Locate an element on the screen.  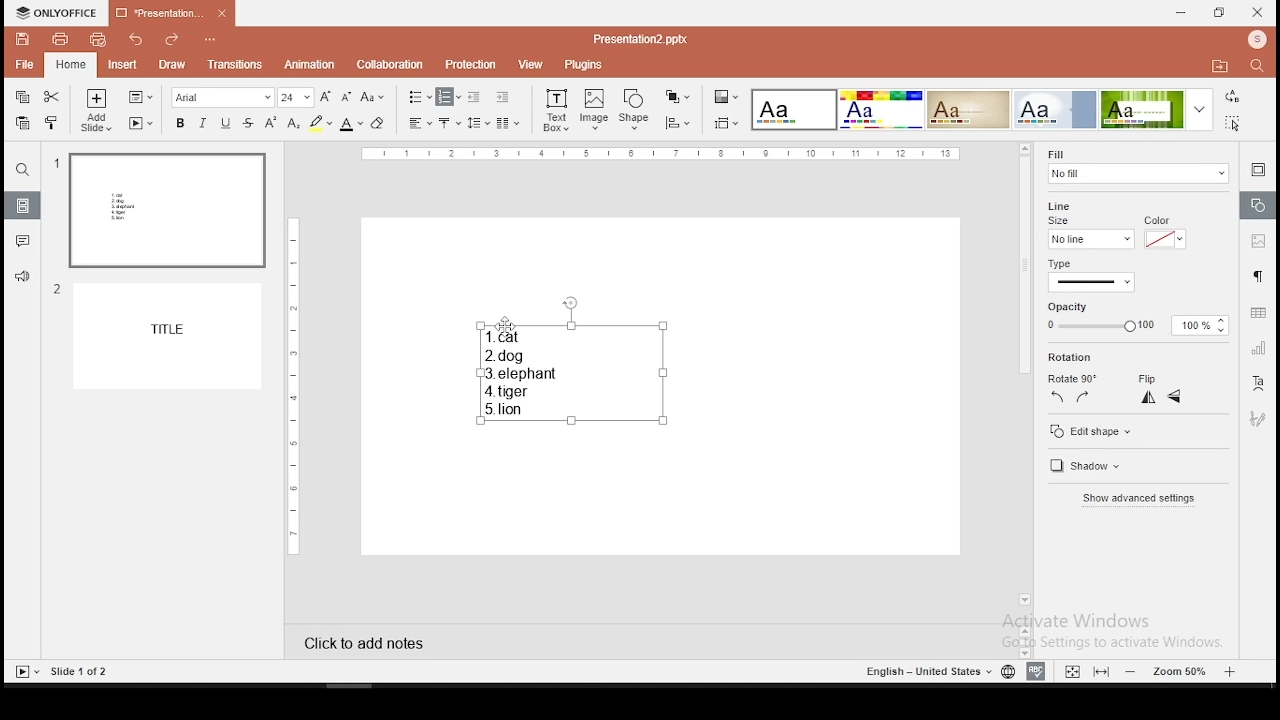
decrease font size is located at coordinates (344, 95).